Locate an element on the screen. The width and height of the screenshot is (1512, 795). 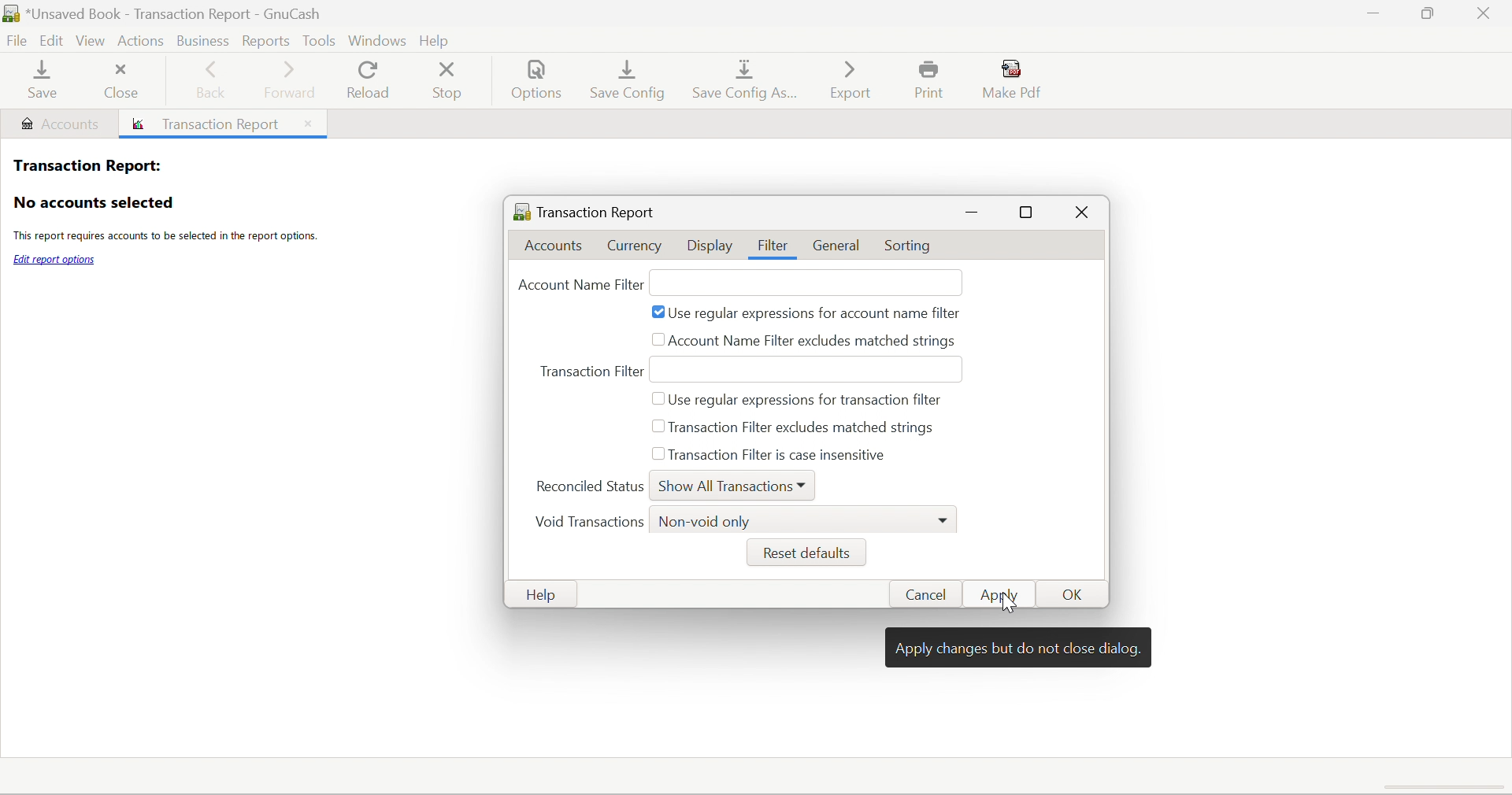
Show All Transactions is located at coordinates (724, 488).